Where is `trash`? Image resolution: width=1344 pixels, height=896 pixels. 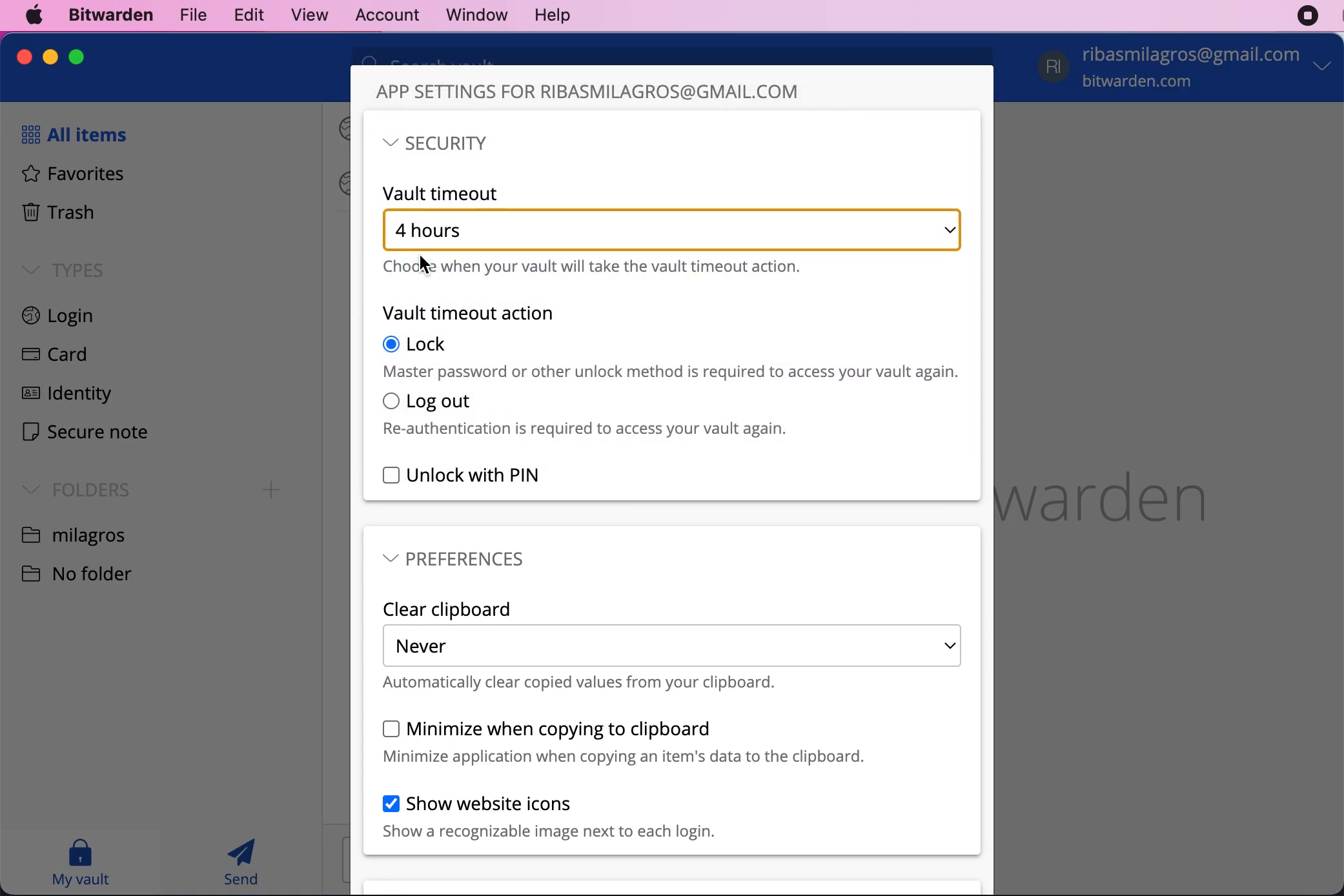
trash is located at coordinates (57, 214).